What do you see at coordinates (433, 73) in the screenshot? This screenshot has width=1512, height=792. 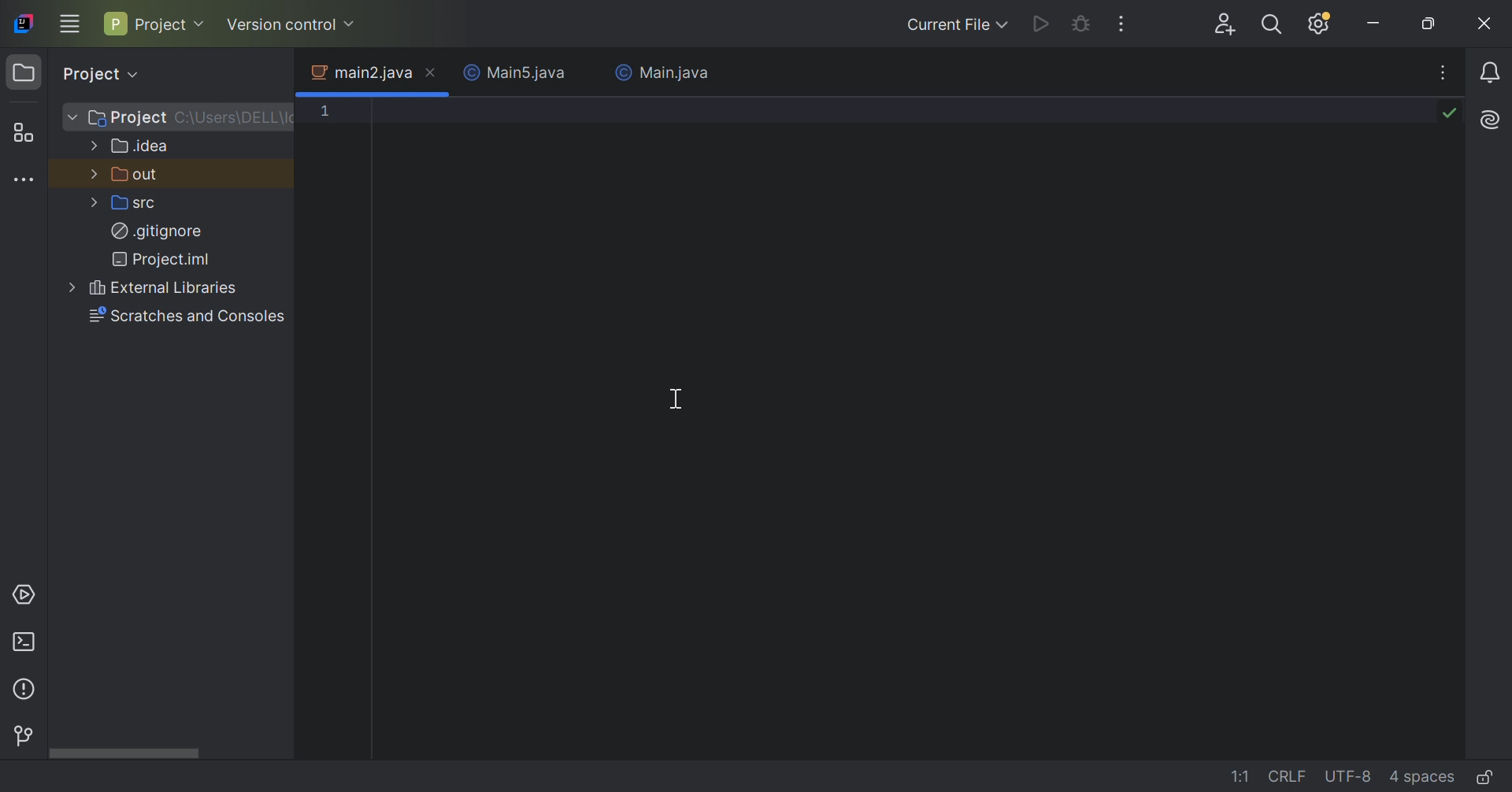 I see `Close` at bounding box center [433, 73].